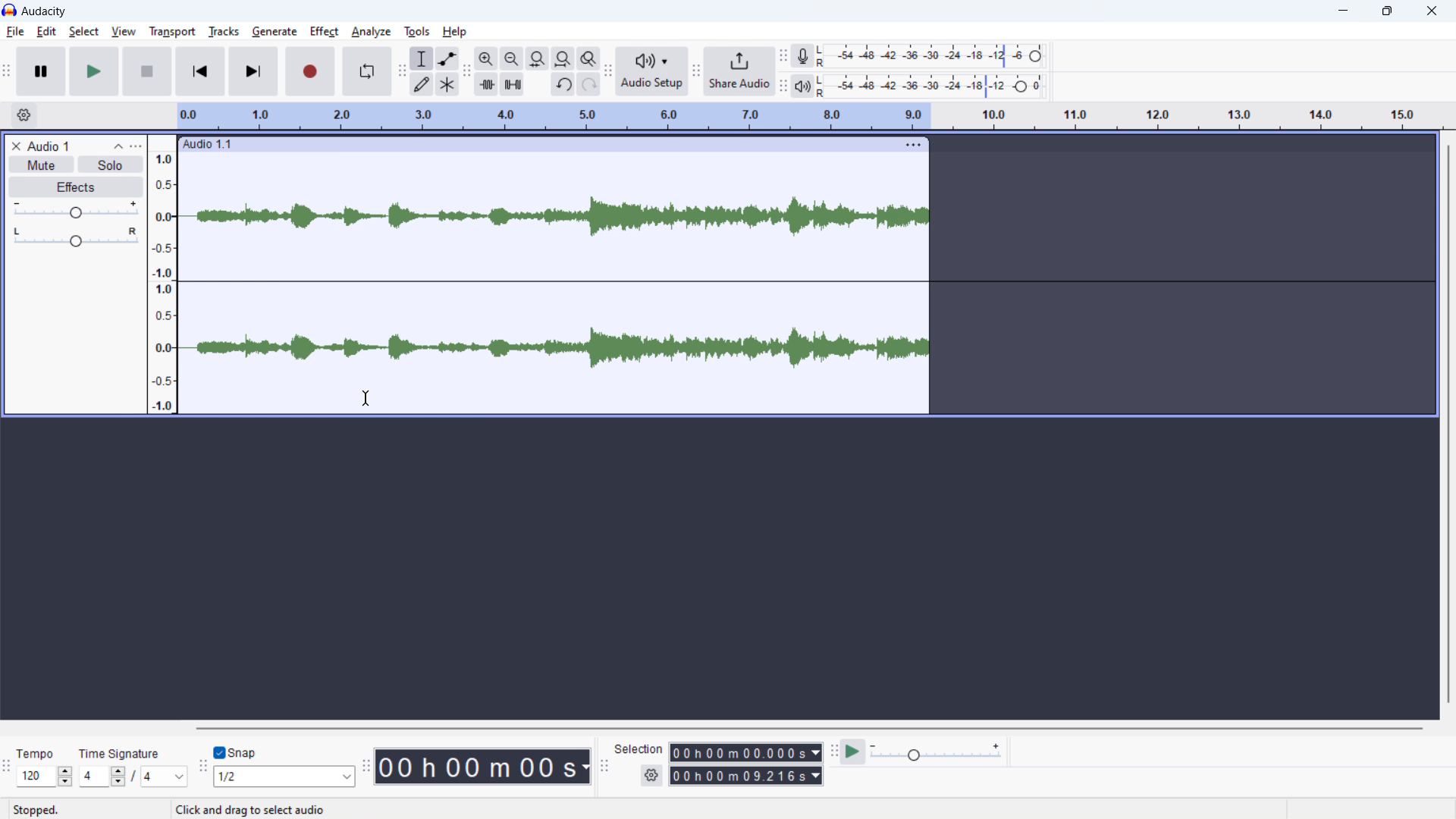  I want to click on pan, so click(74, 237).